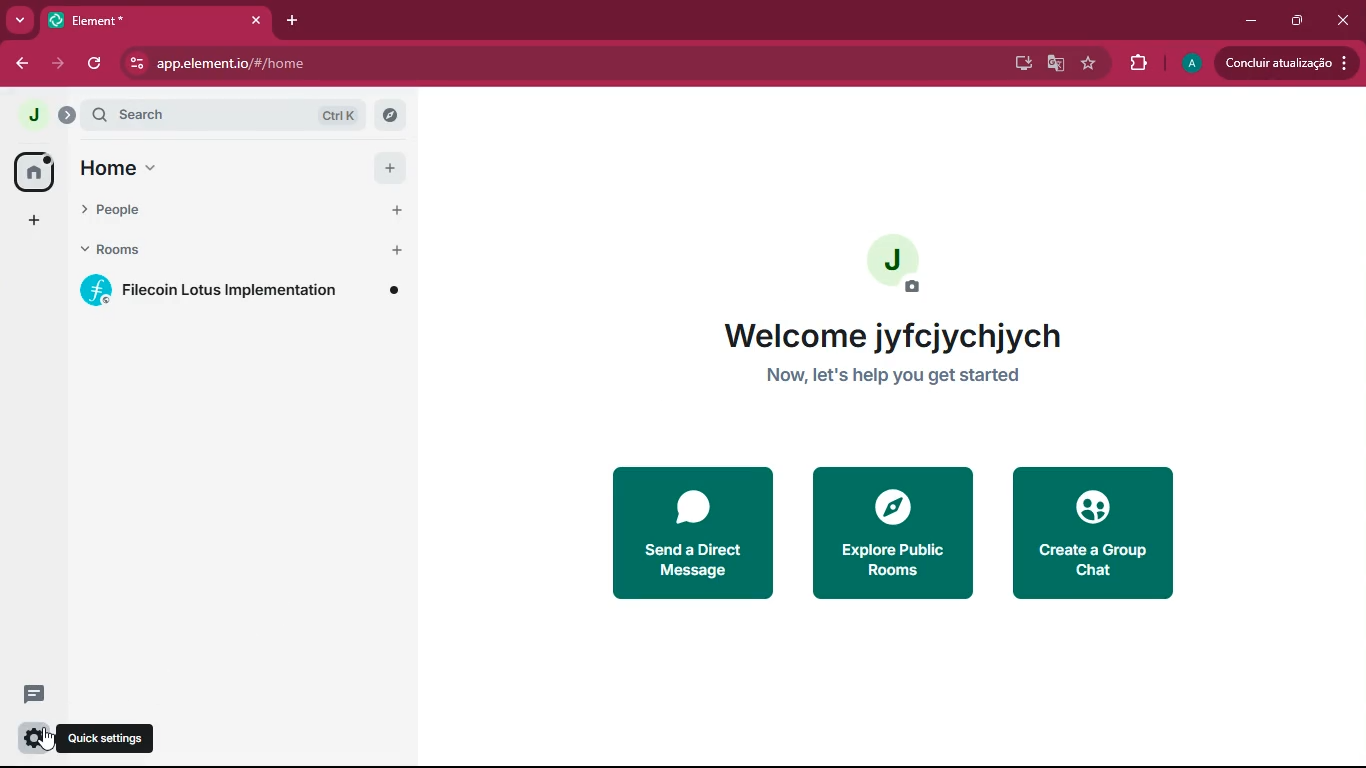 This screenshot has height=768, width=1366. Describe the element at coordinates (1289, 62) in the screenshot. I see `Condluir atualizacio` at that location.